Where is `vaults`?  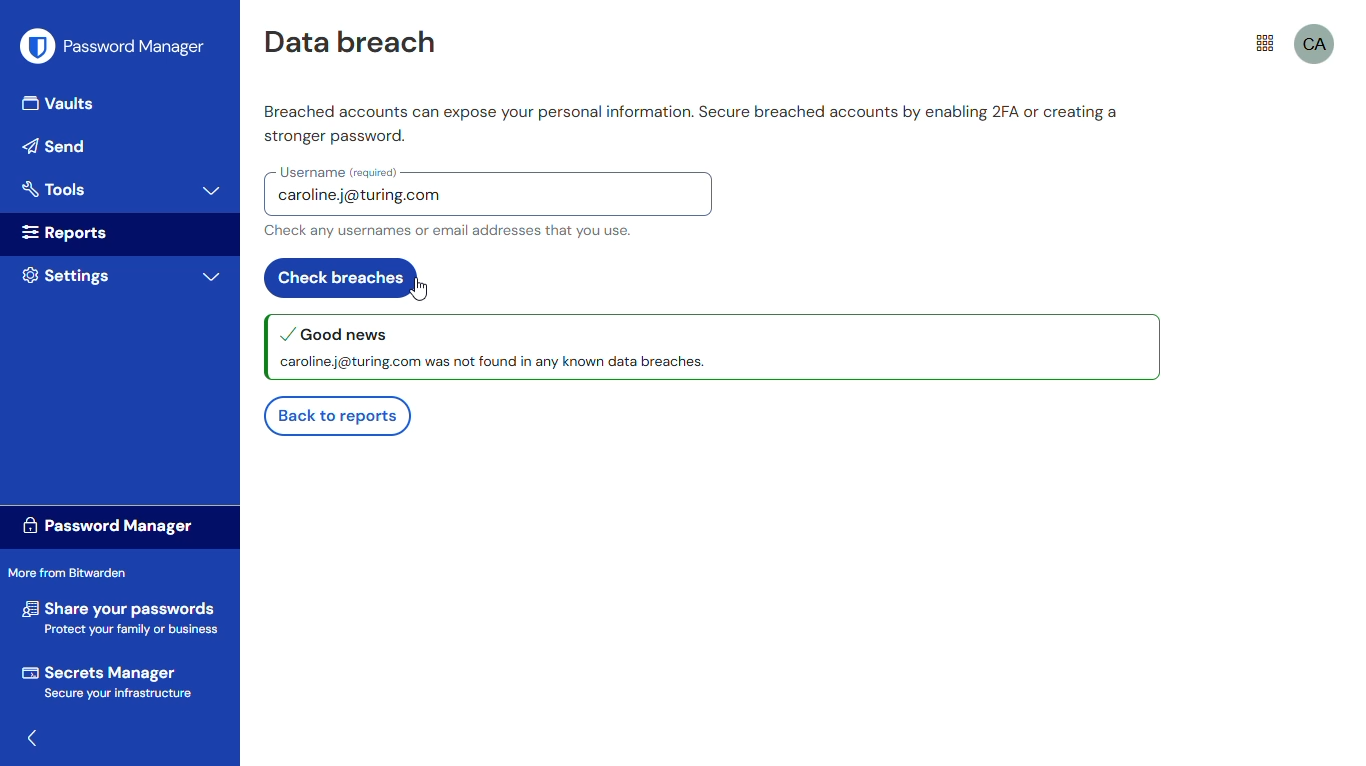 vaults is located at coordinates (61, 102).